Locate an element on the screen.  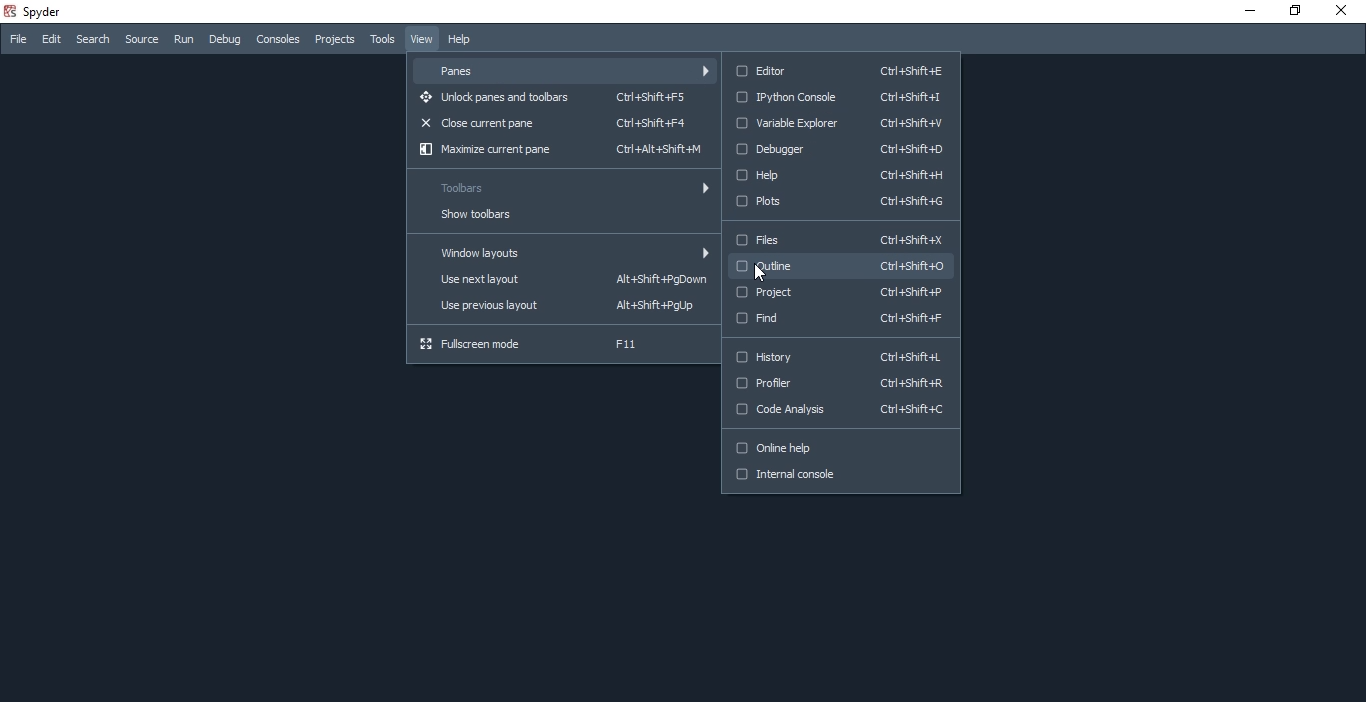
Help is located at coordinates (464, 40).